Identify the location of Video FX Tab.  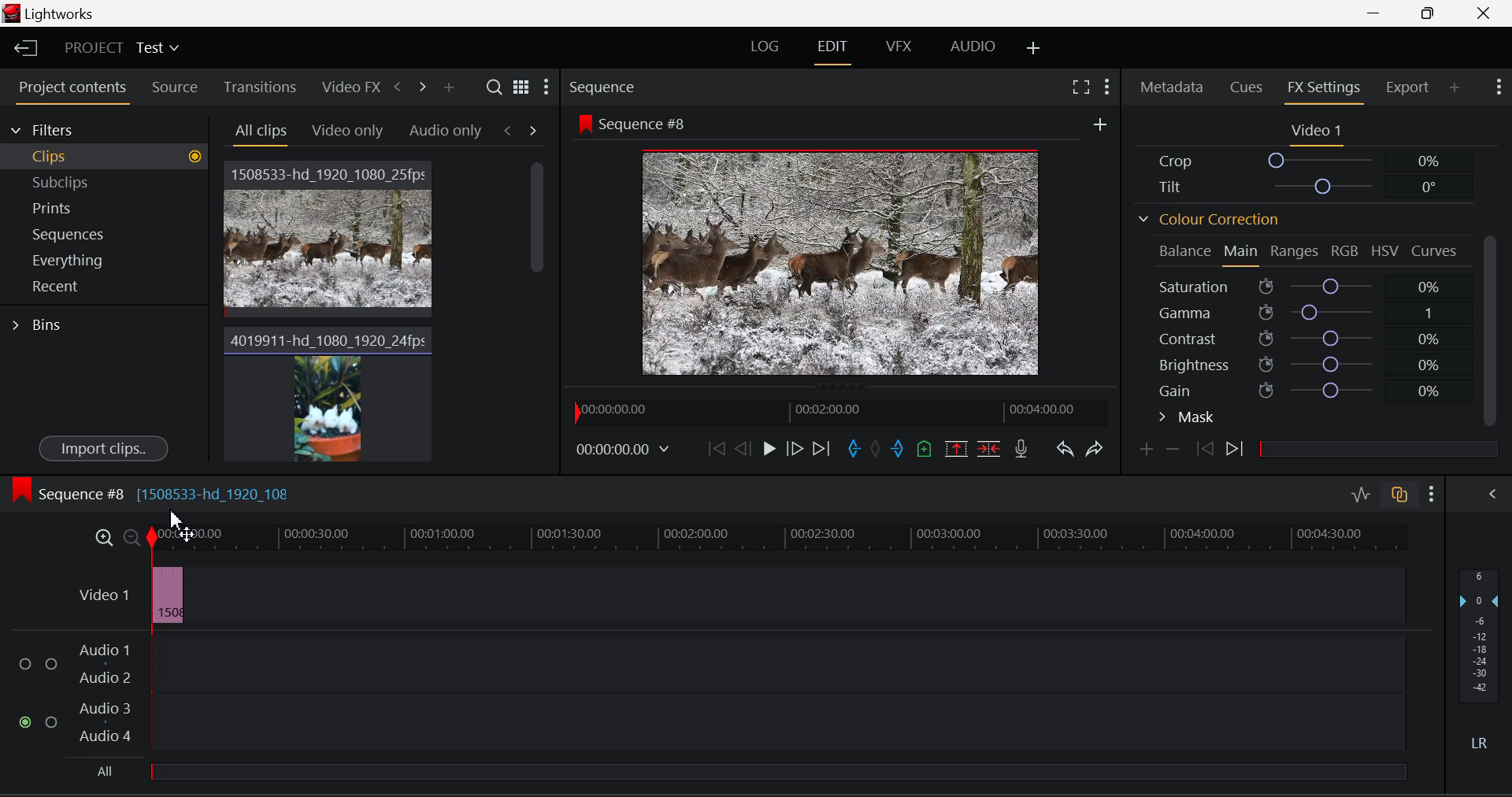
(351, 88).